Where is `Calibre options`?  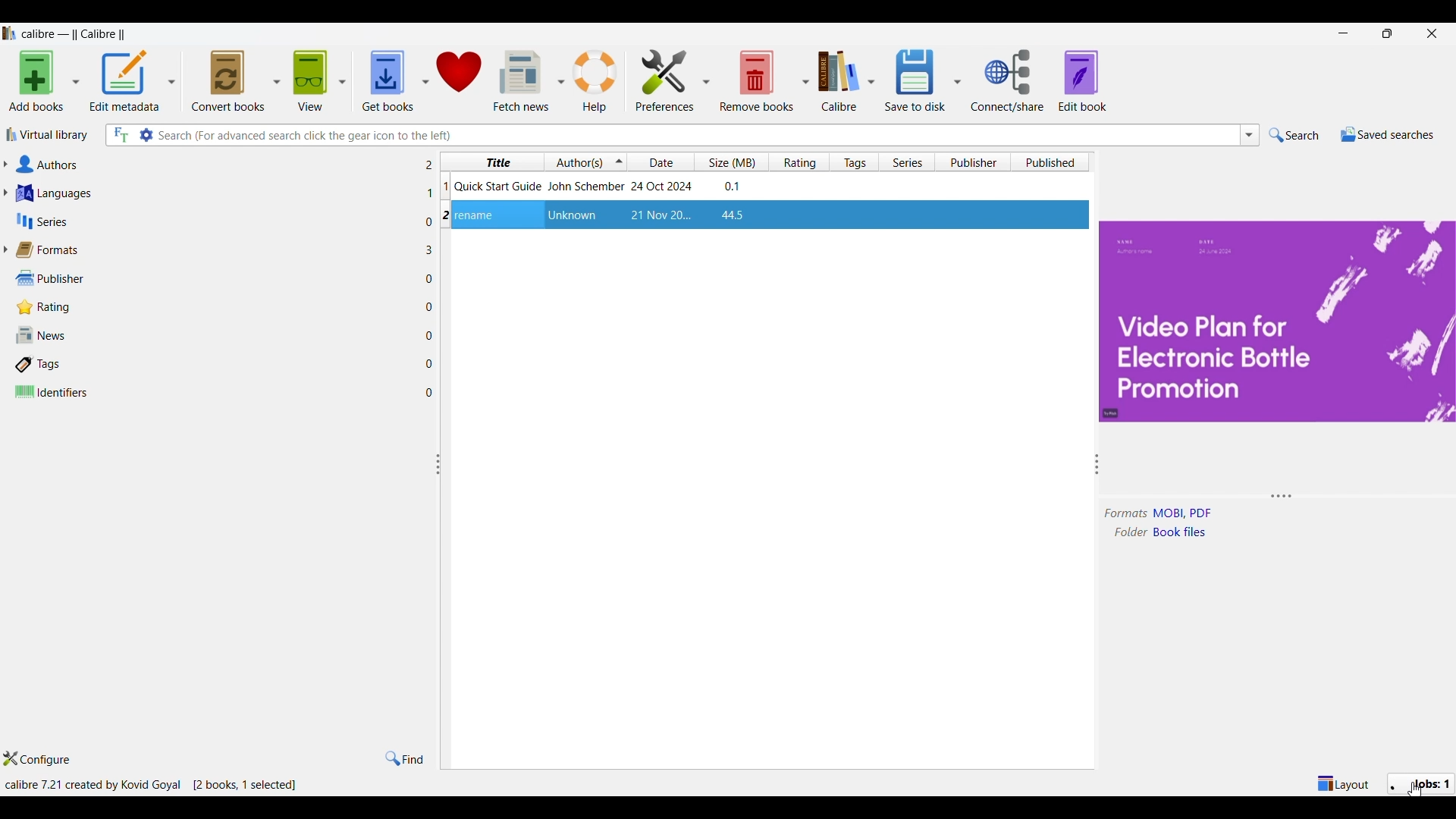 Calibre options is located at coordinates (871, 81).